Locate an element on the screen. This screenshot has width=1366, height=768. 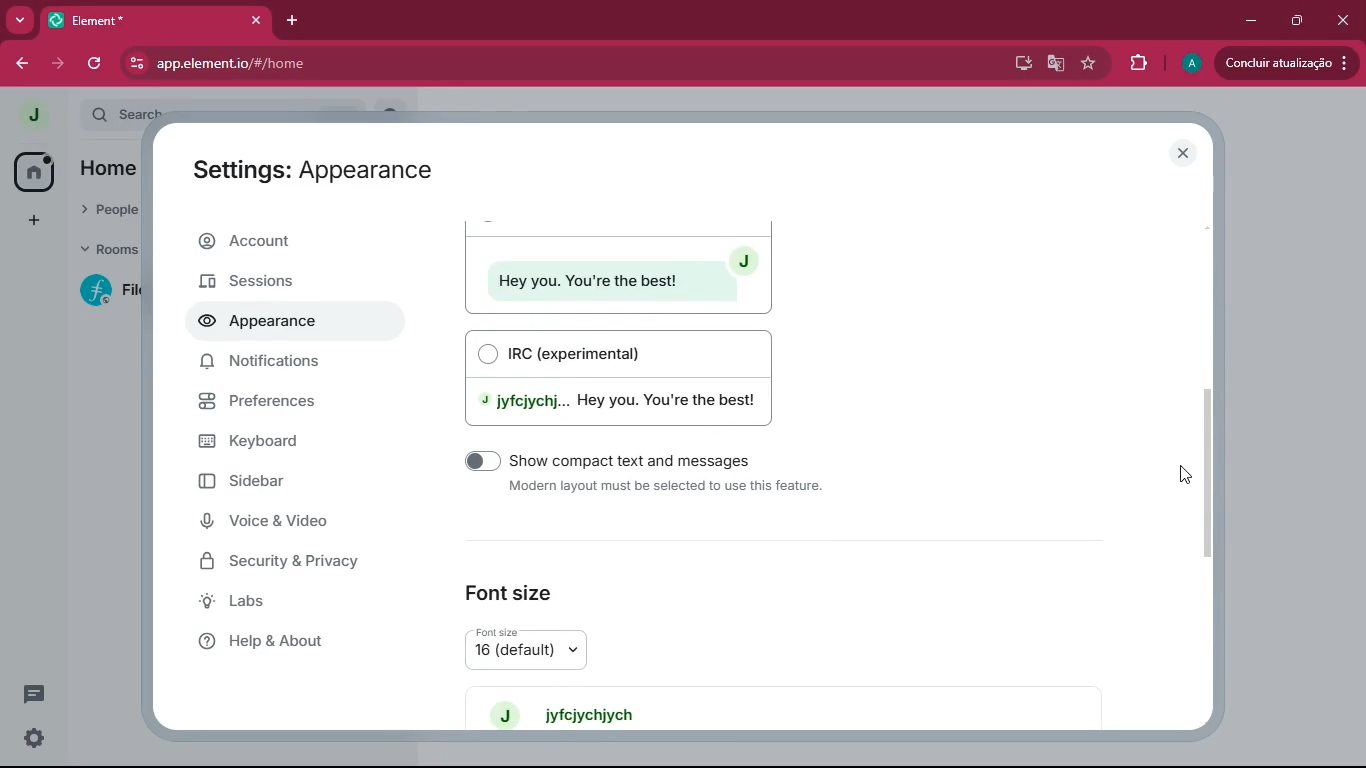
font size is located at coordinates (548, 648).